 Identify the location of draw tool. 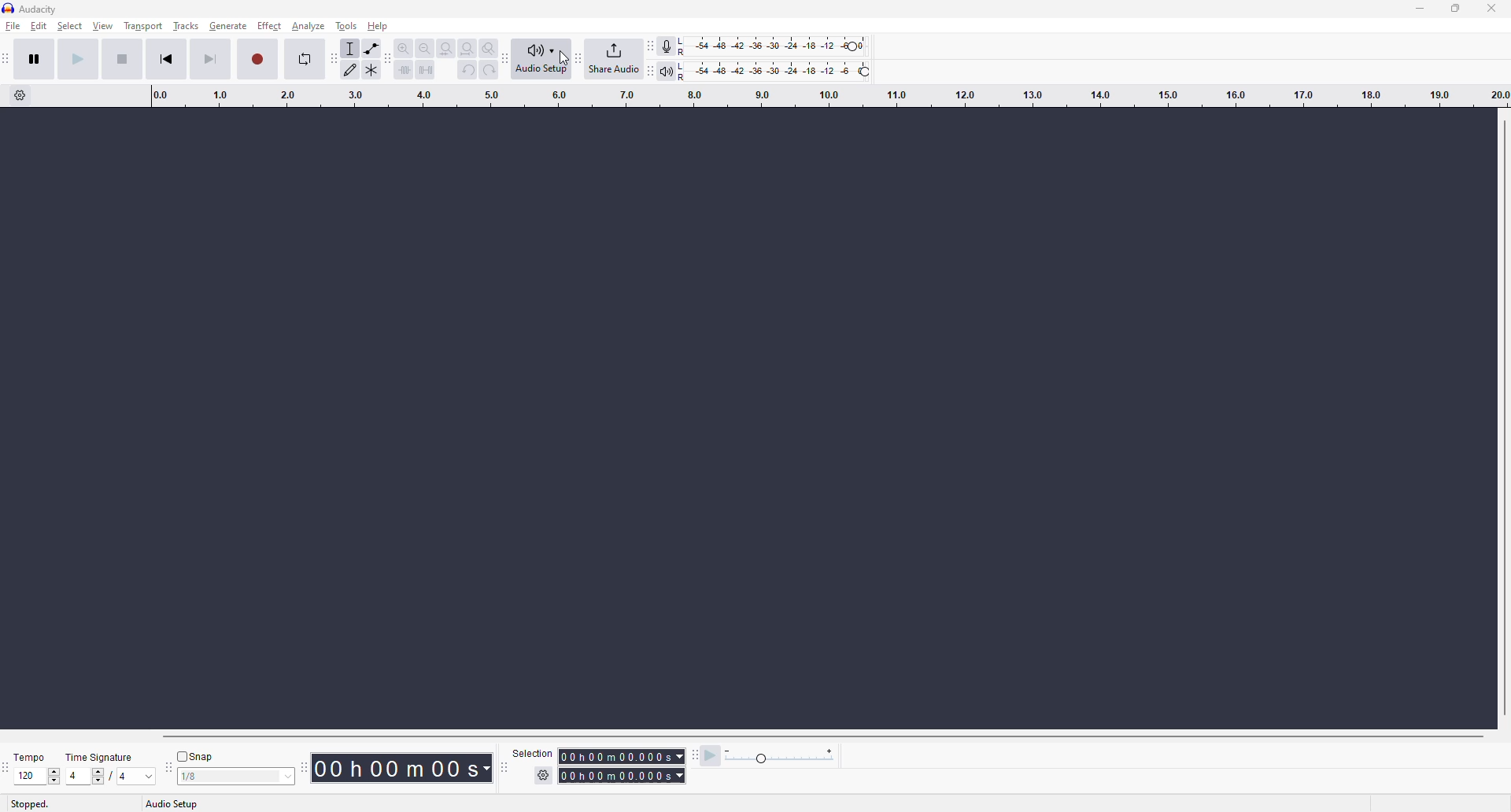
(349, 69).